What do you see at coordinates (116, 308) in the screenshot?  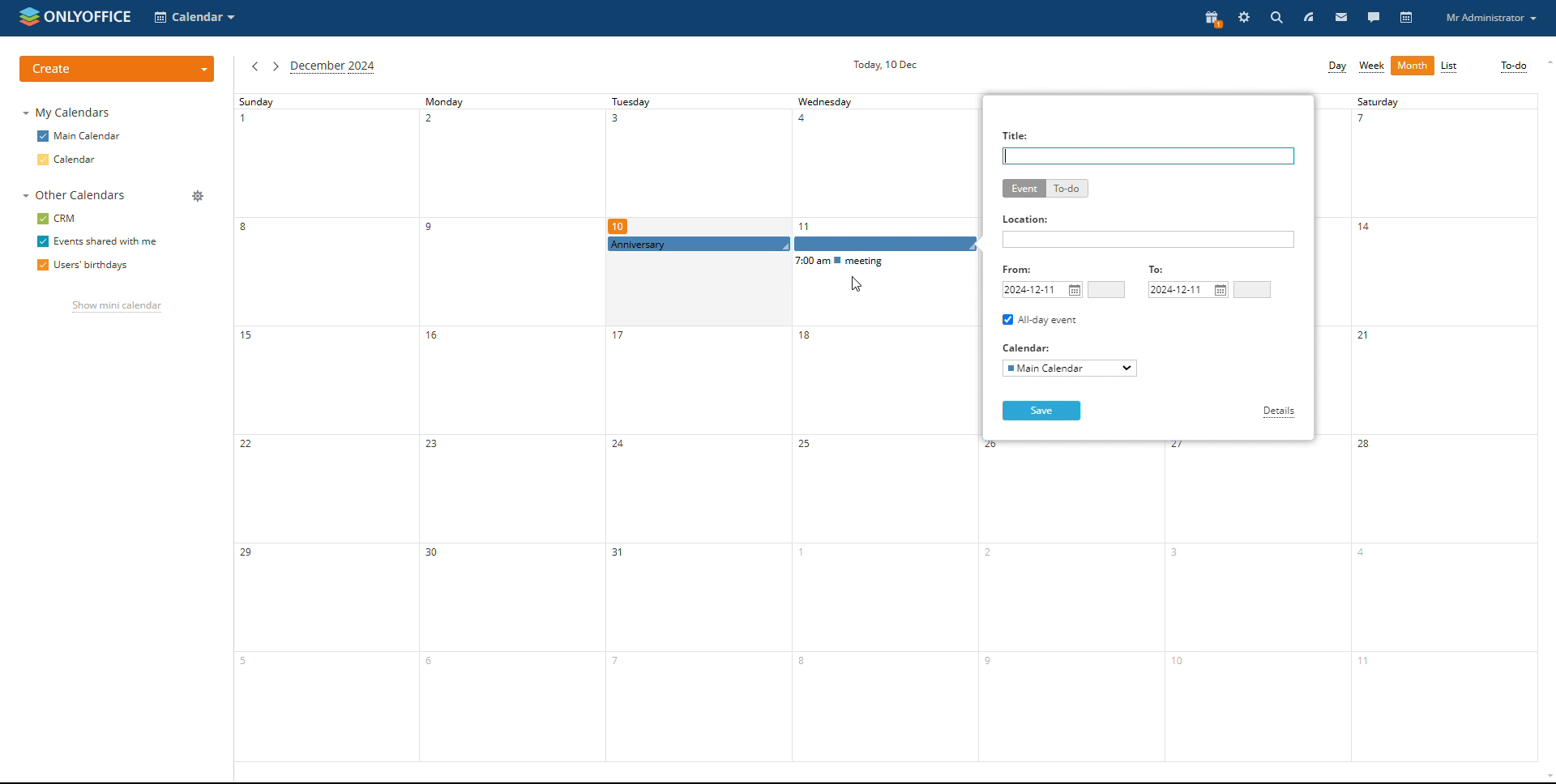 I see `show mini calendar` at bounding box center [116, 308].